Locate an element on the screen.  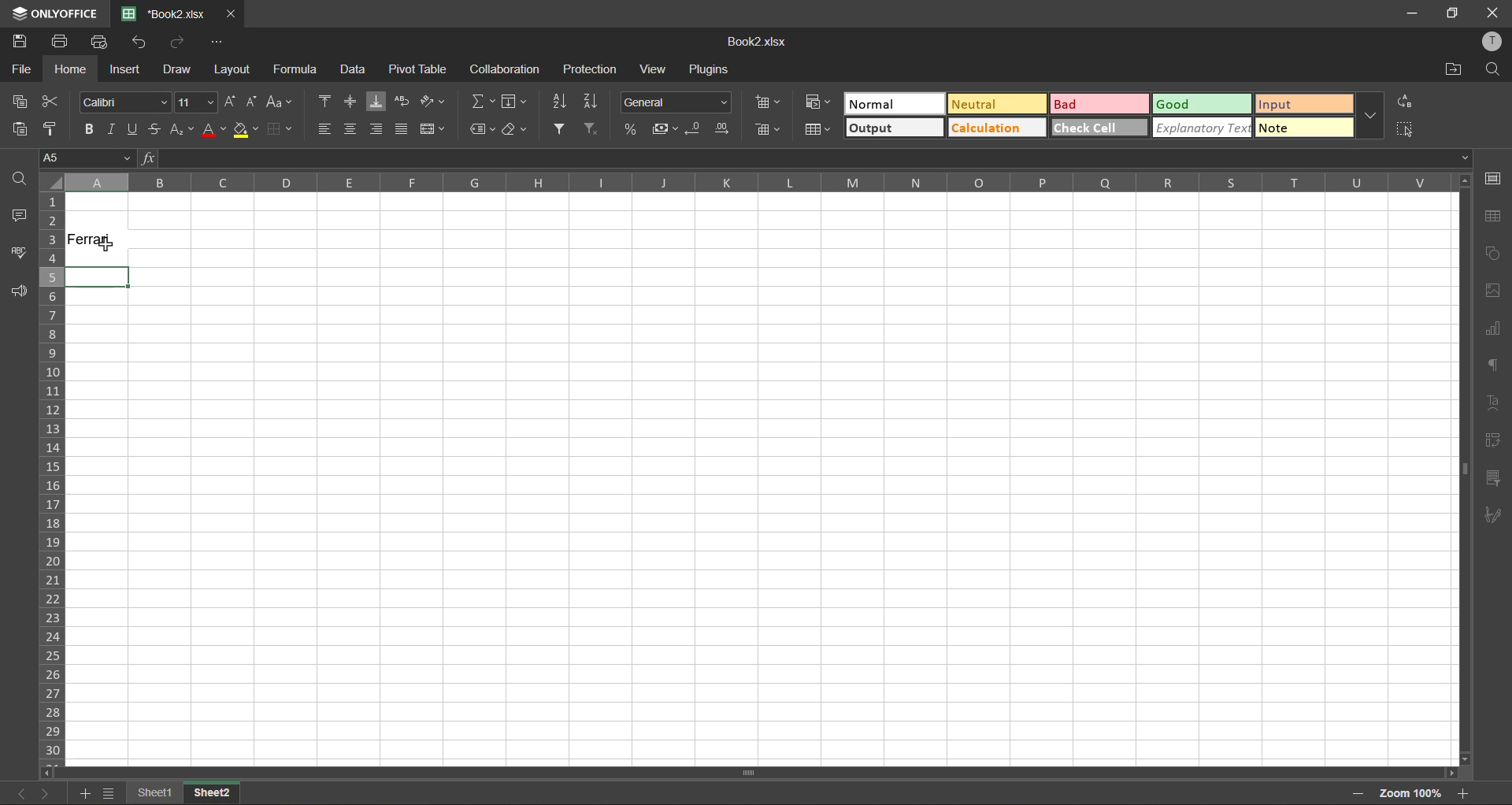
select all is located at coordinates (1403, 130).